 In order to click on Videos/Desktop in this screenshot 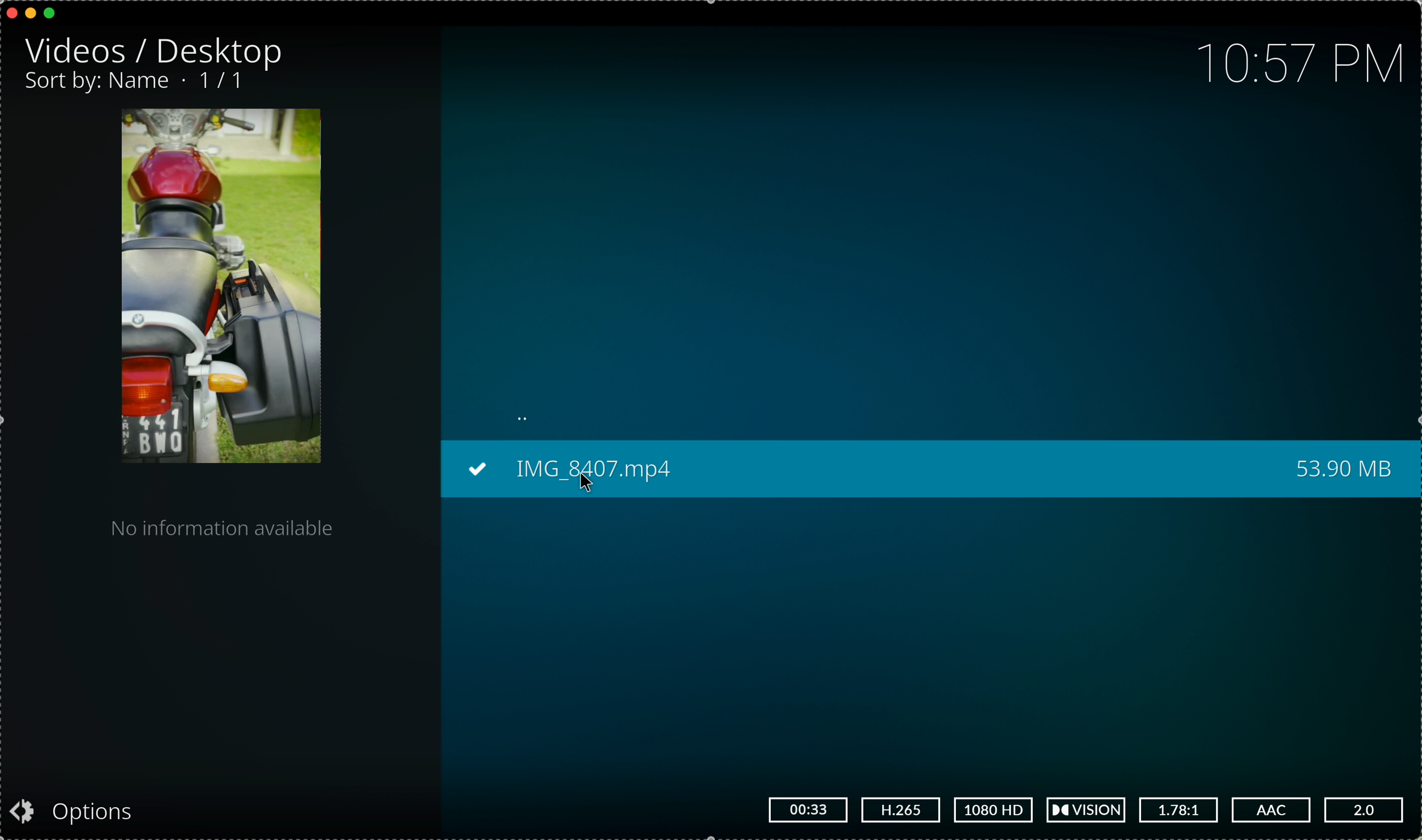, I will do `click(152, 51)`.